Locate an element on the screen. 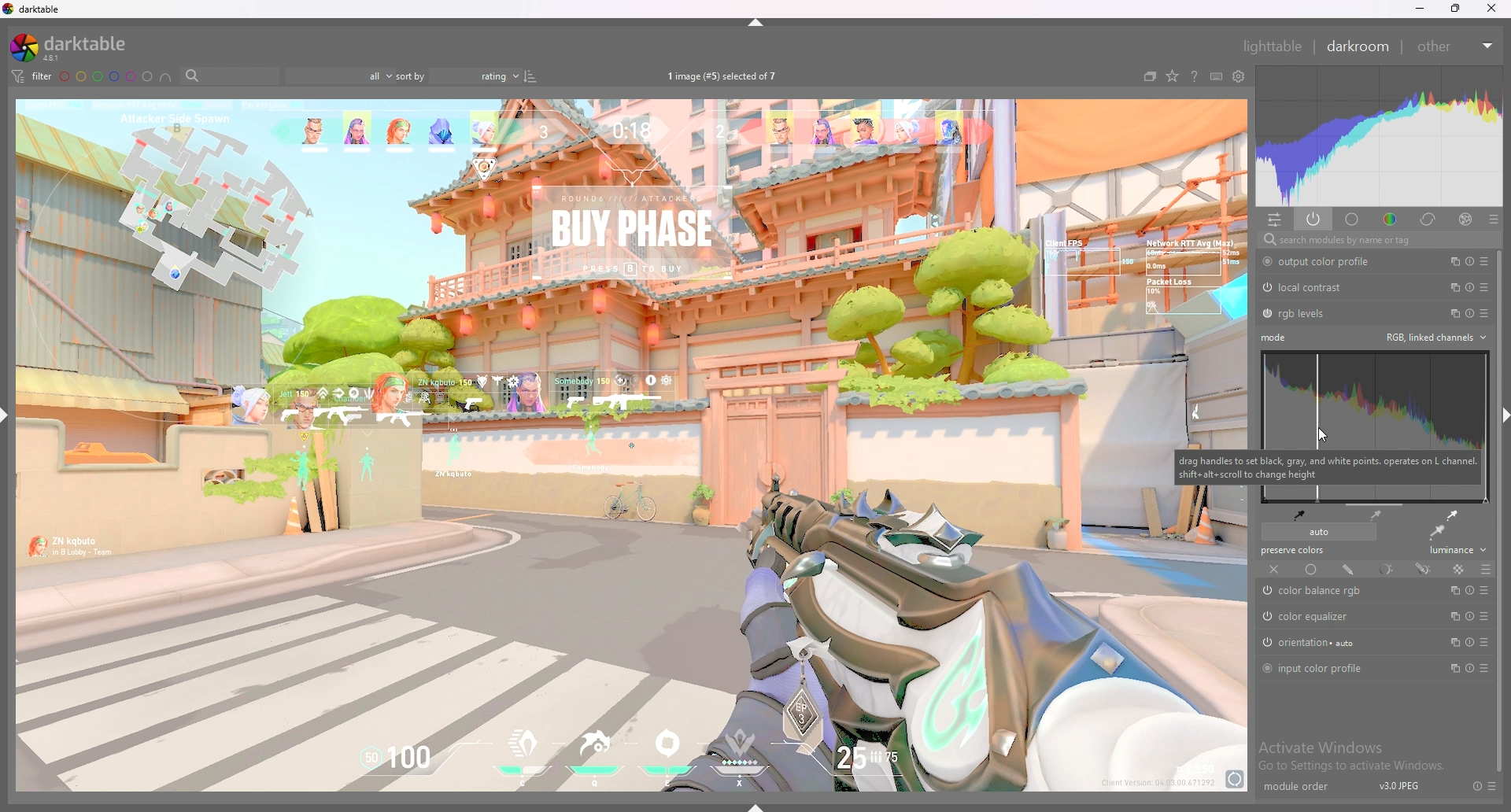  rgb linked channels is located at coordinates (1435, 337).